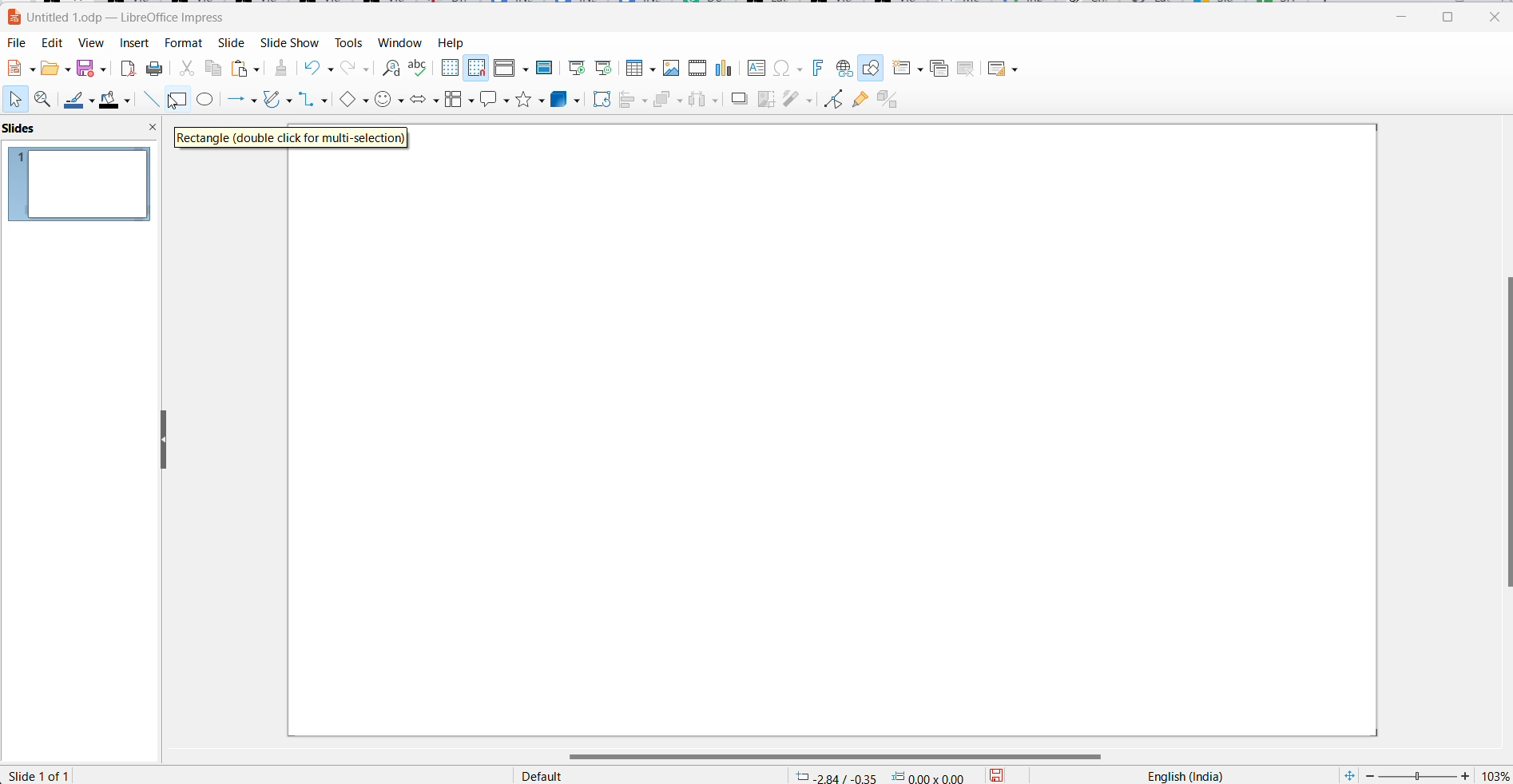 The image size is (1513, 784). Describe the element at coordinates (566, 100) in the screenshot. I see `3d objects ` at that location.